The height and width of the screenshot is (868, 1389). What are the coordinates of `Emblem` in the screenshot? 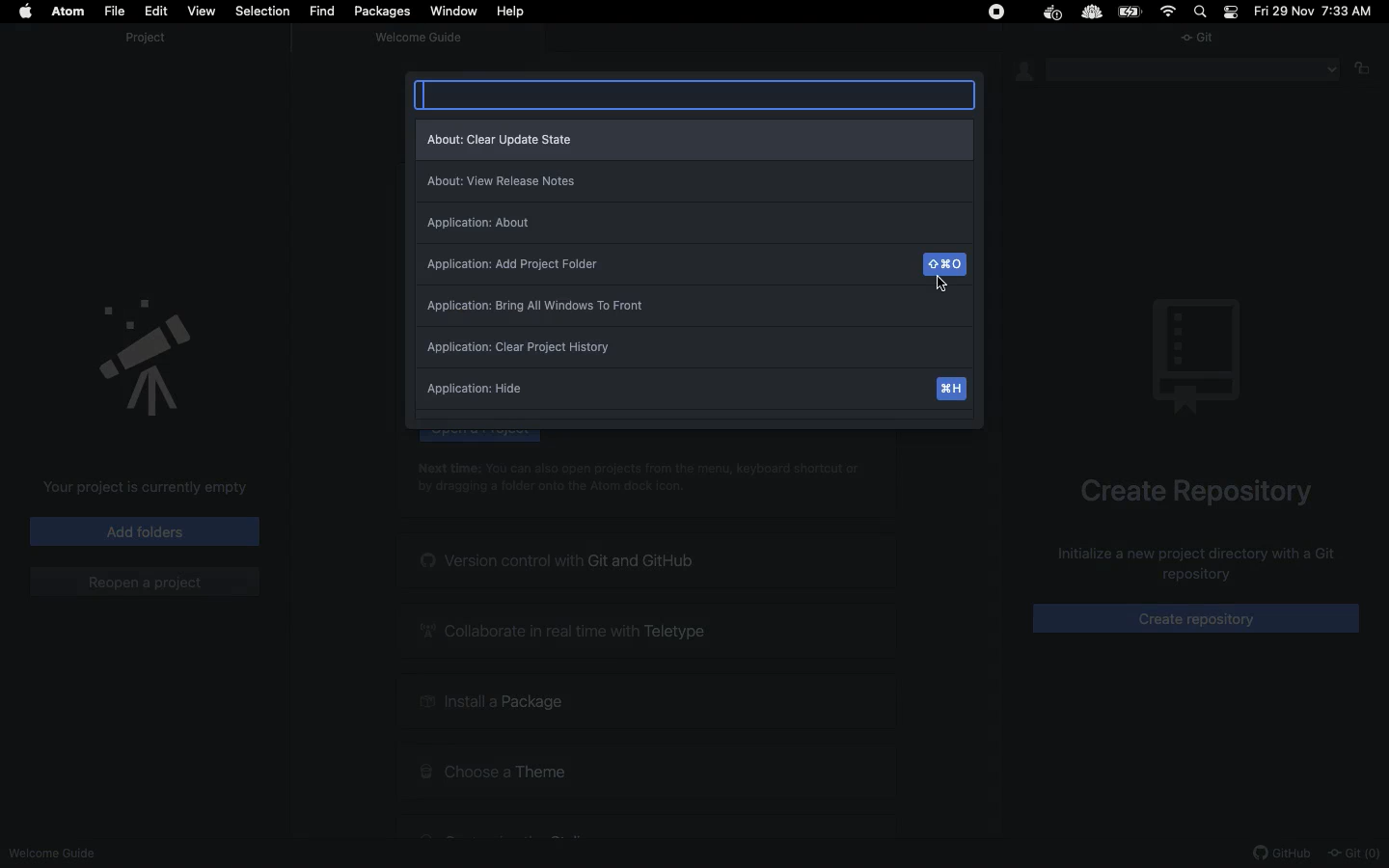 It's located at (146, 356).